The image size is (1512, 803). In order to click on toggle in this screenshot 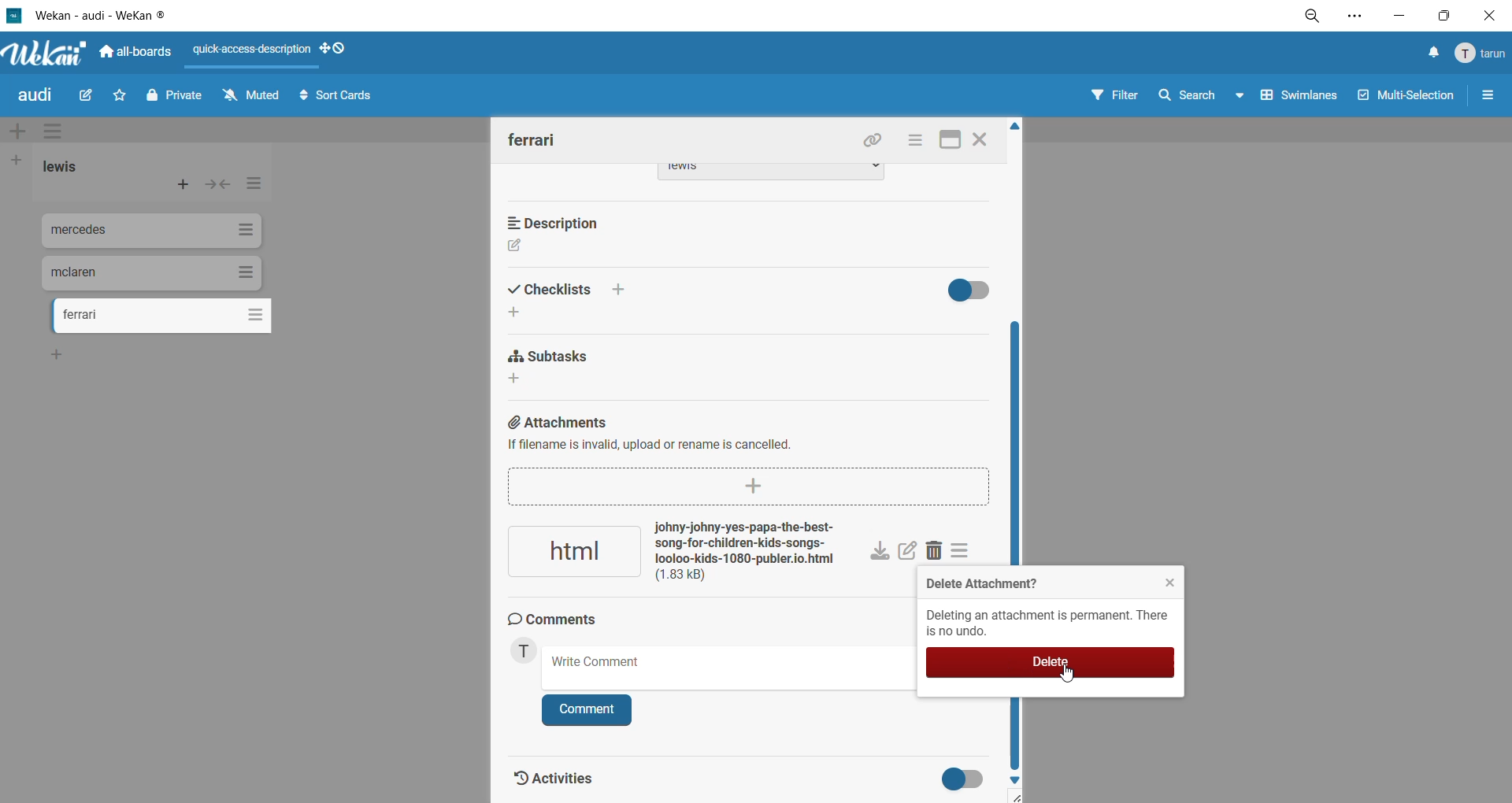, I will do `click(967, 780)`.